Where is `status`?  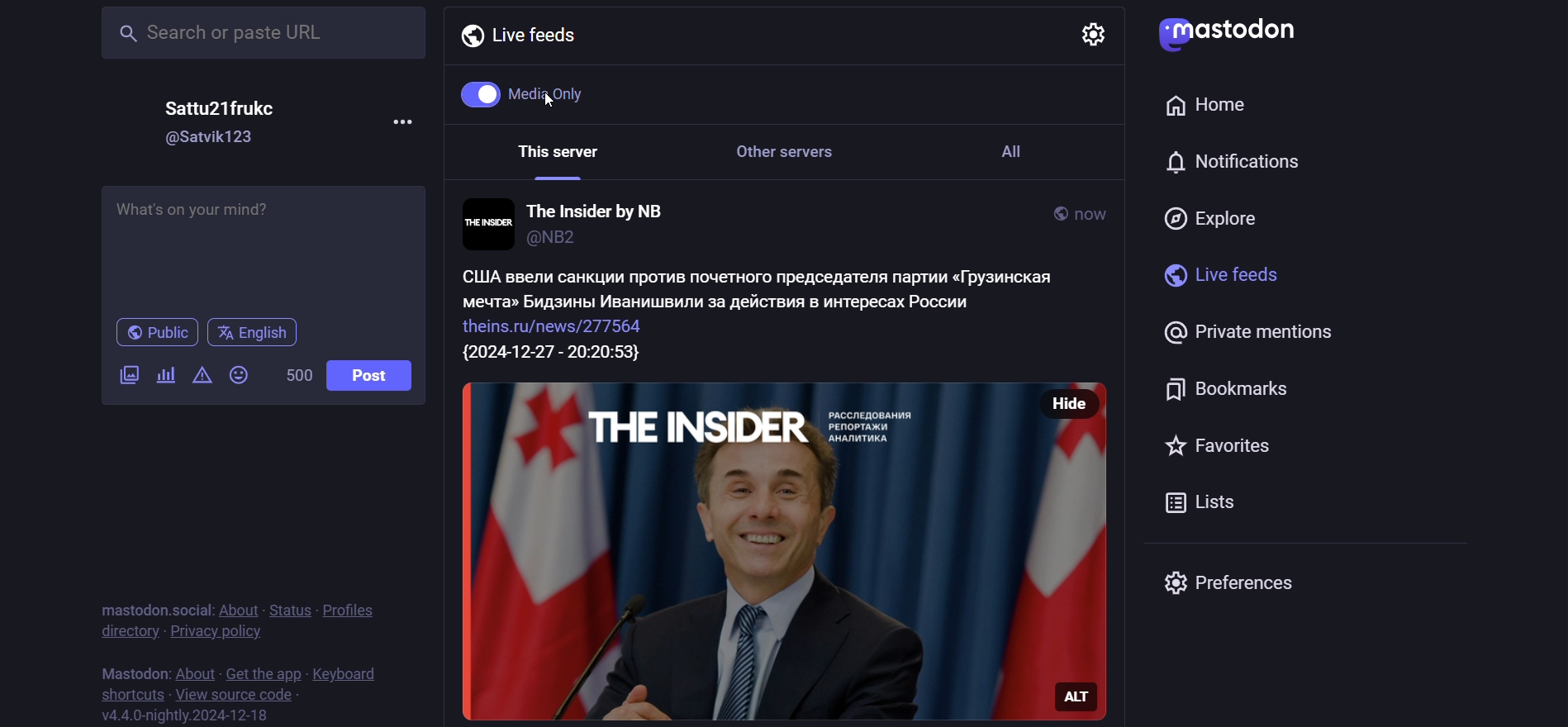 status is located at coordinates (290, 610).